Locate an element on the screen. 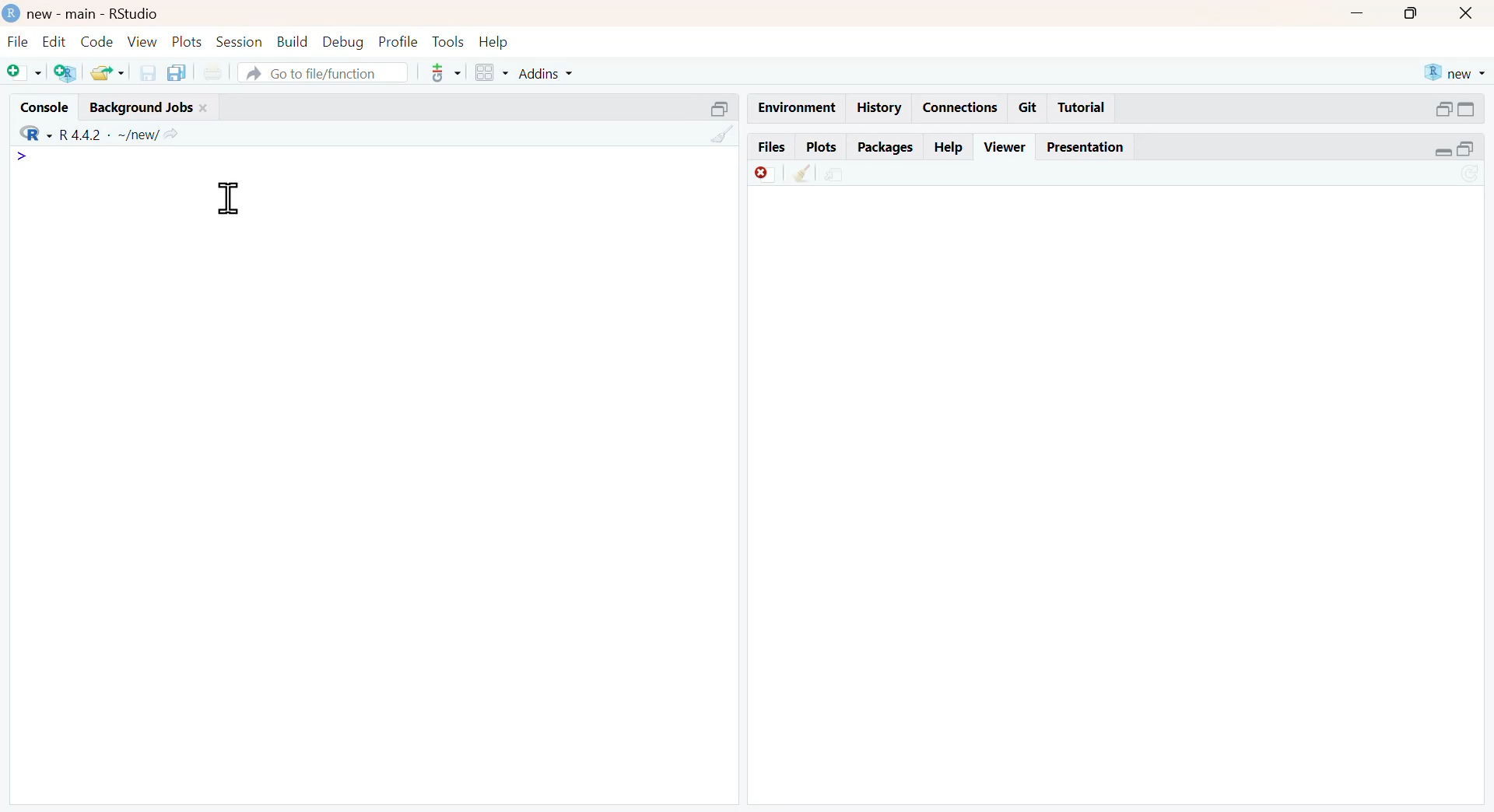  expand/collapse  is located at coordinates (721, 108).